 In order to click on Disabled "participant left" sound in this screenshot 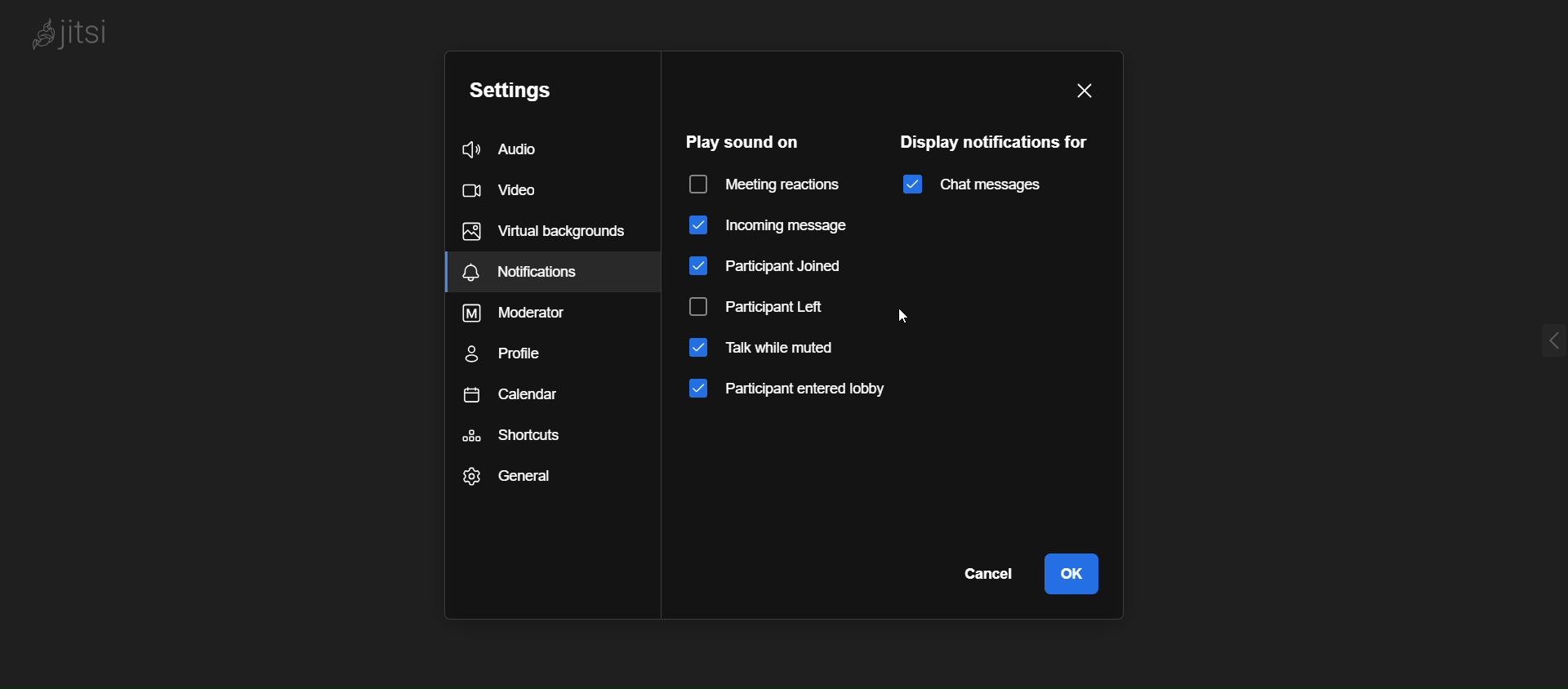, I will do `click(773, 304)`.